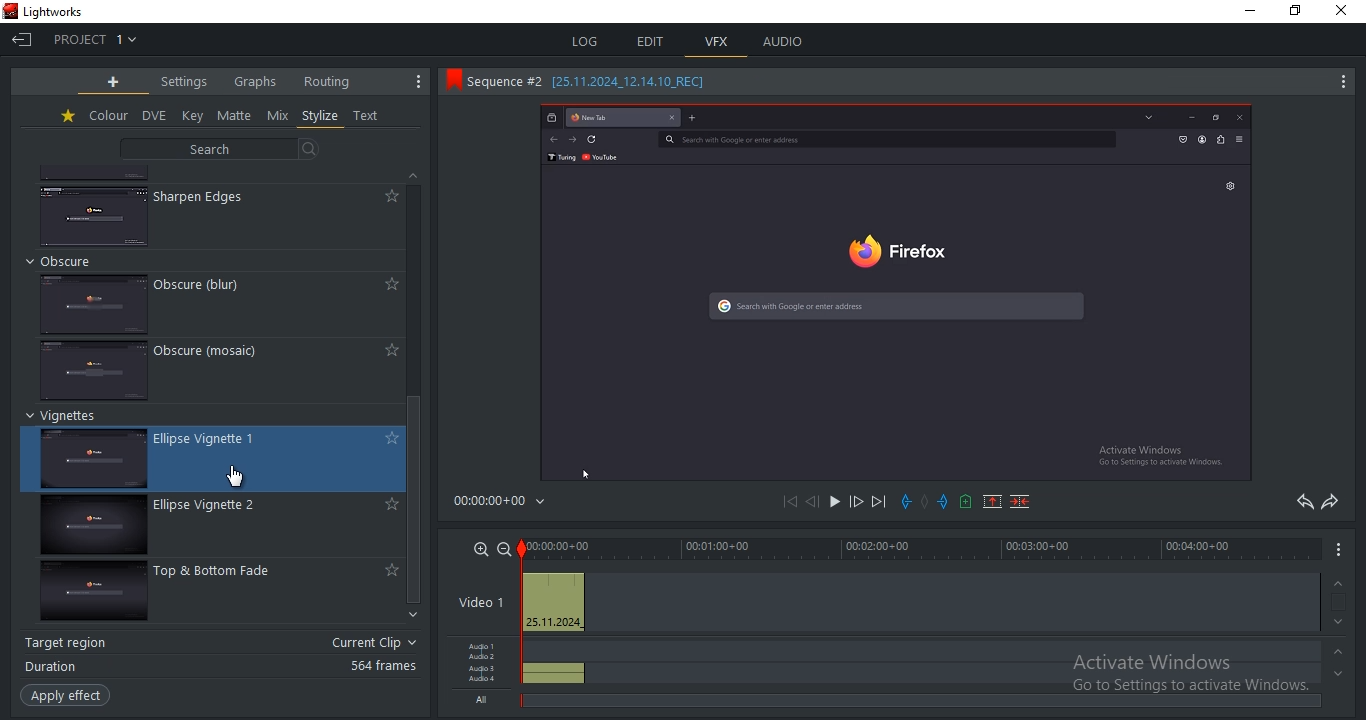 This screenshot has width=1366, height=720. What do you see at coordinates (507, 501) in the screenshot?
I see `time` at bounding box center [507, 501].